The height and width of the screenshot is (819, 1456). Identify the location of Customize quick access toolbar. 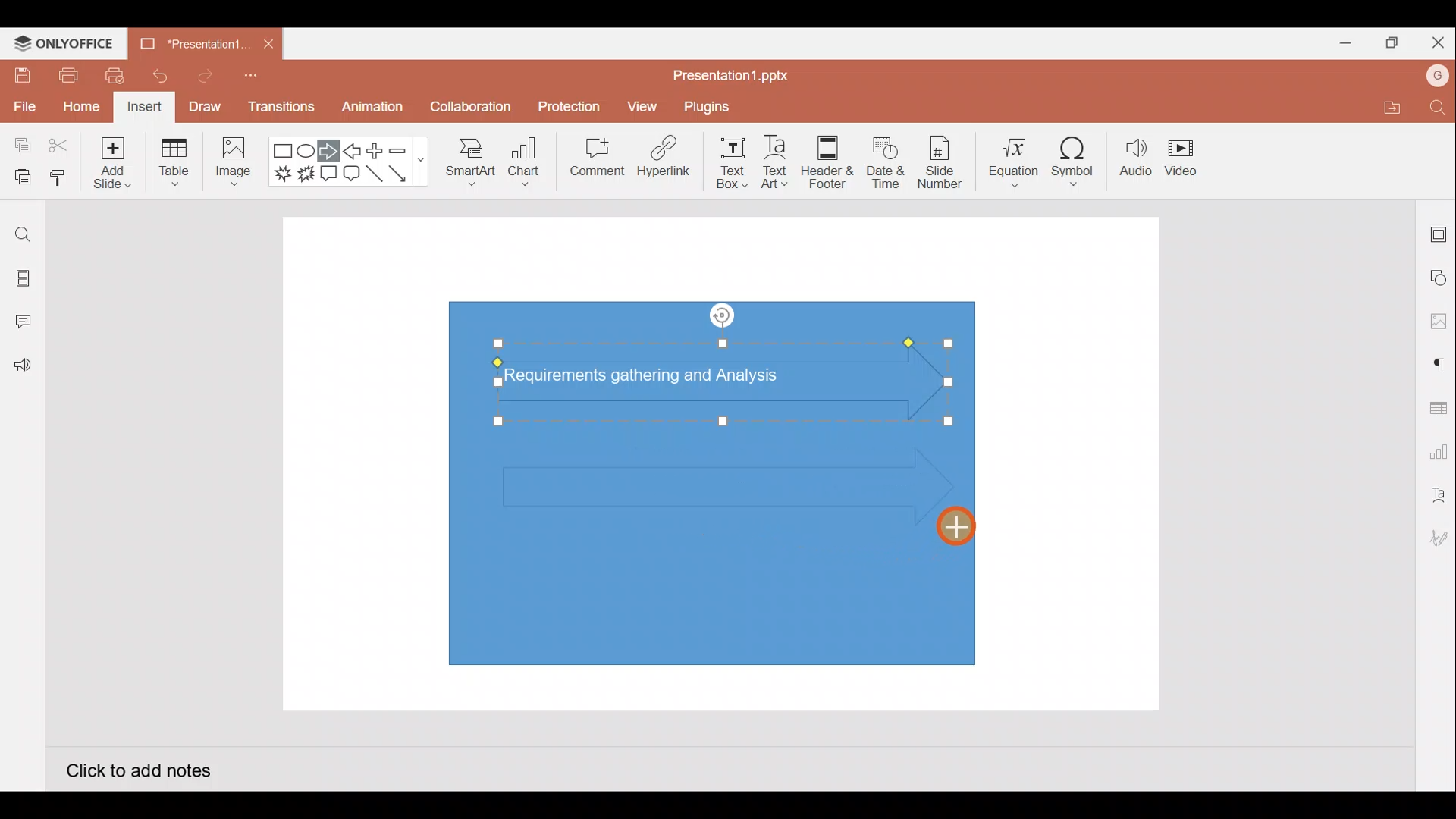
(256, 80).